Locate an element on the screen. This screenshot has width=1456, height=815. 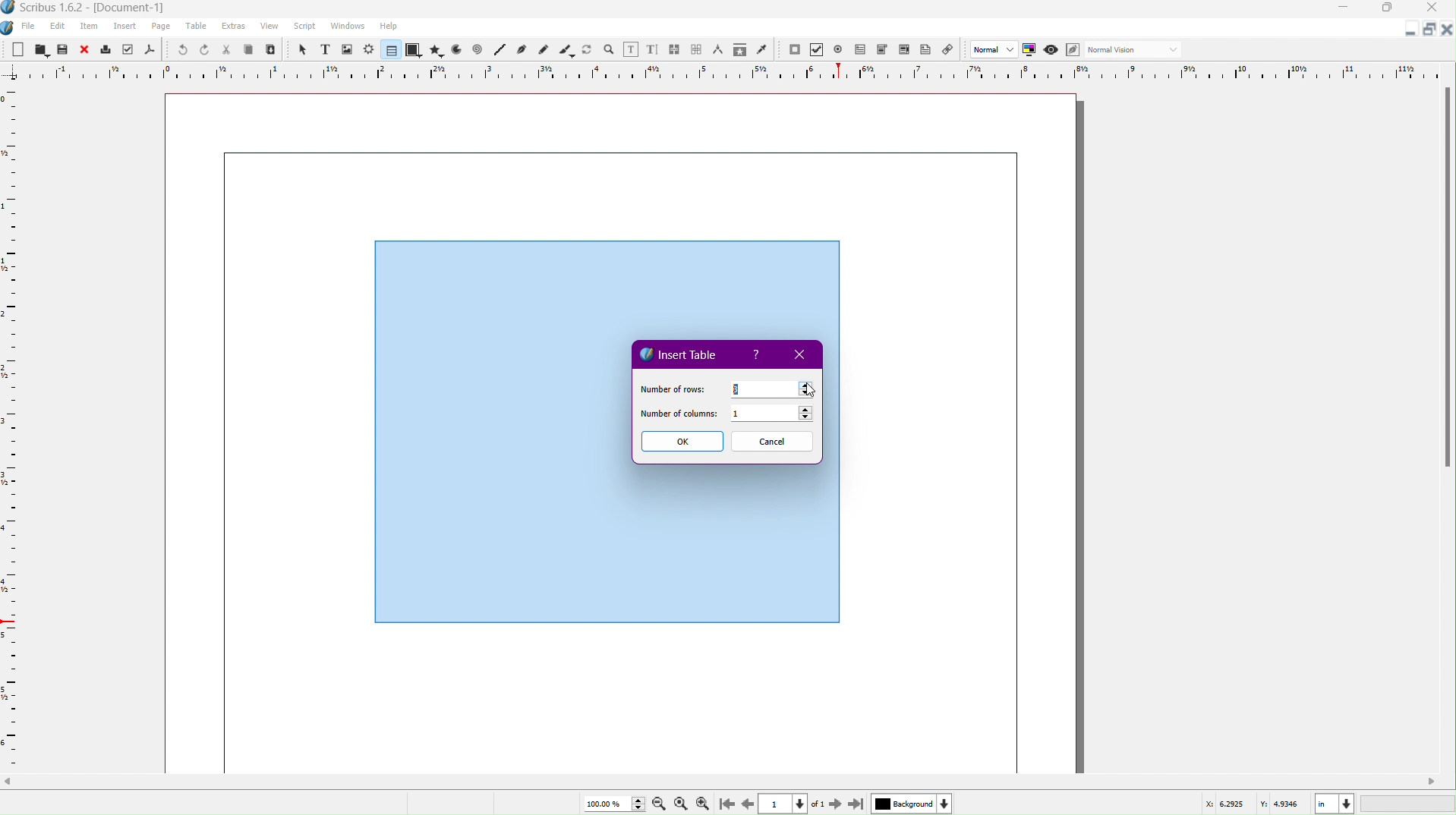
PDF Text Annotation is located at coordinates (928, 52).